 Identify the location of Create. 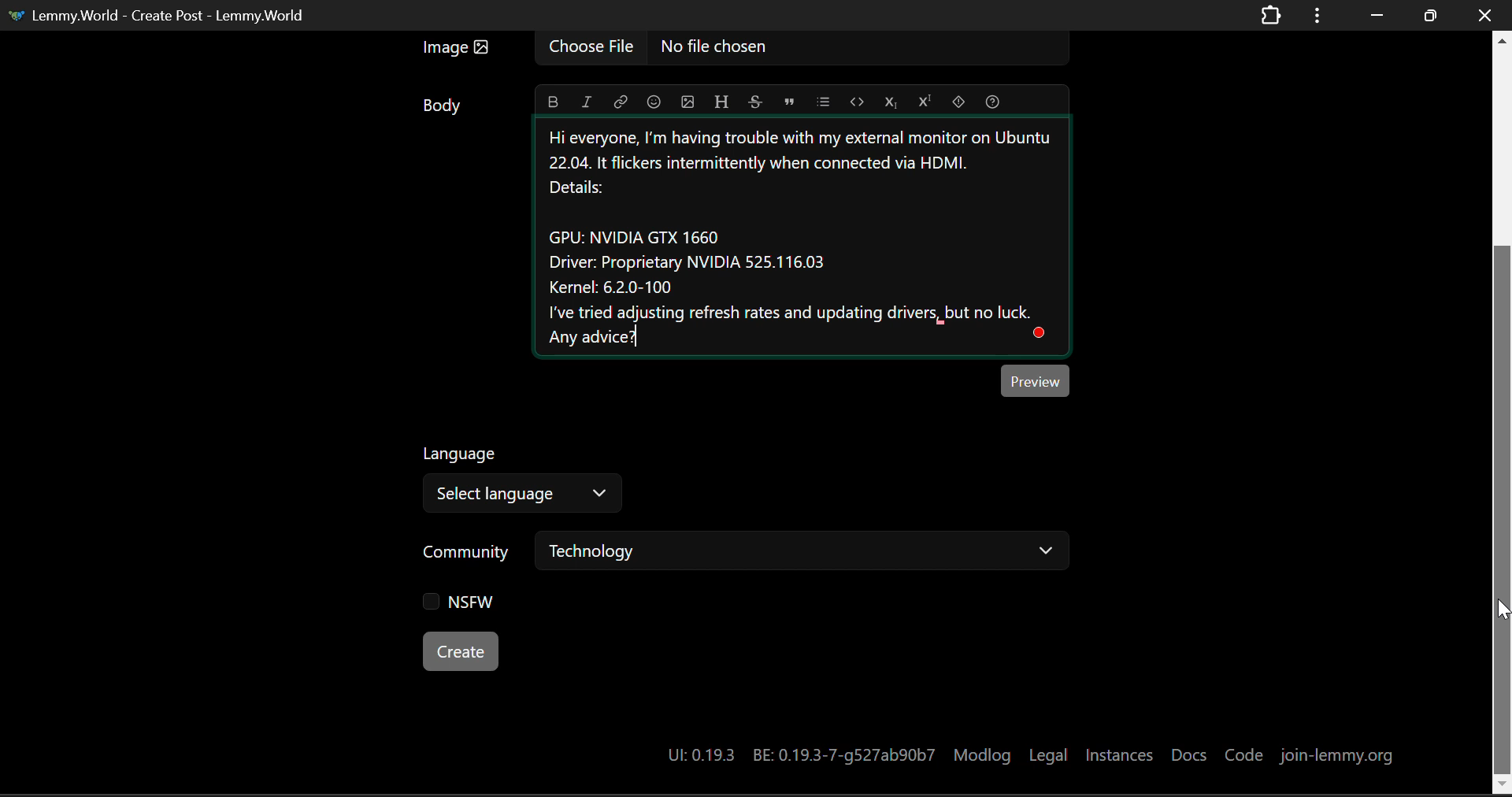
(462, 652).